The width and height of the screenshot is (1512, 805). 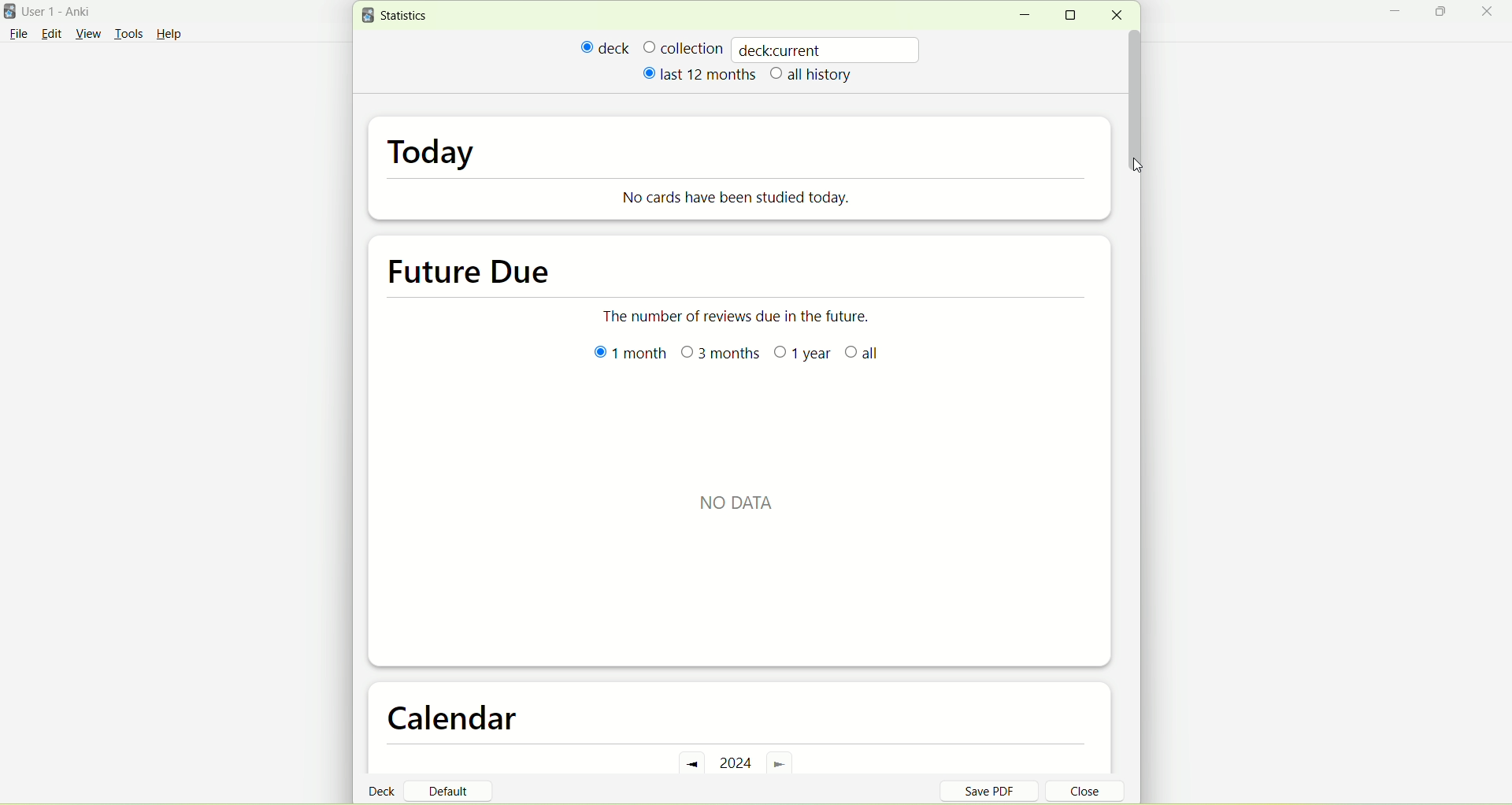 What do you see at coordinates (746, 310) in the screenshot?
I see `The number of reviews due in the future.` at bounding box center [746, 310].